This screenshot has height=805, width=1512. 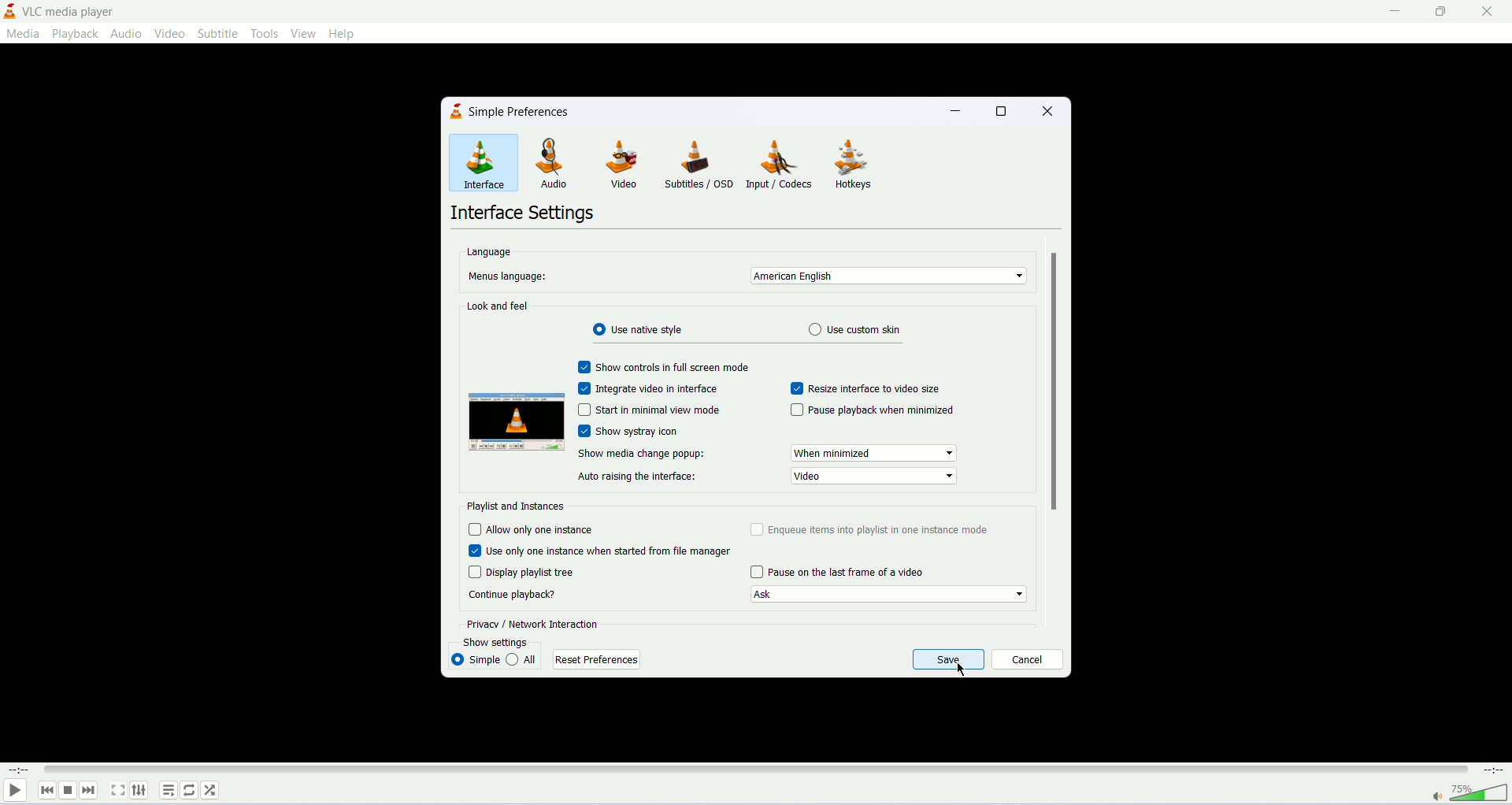 I want to click on show systray icon, so click(x=648, y=431).